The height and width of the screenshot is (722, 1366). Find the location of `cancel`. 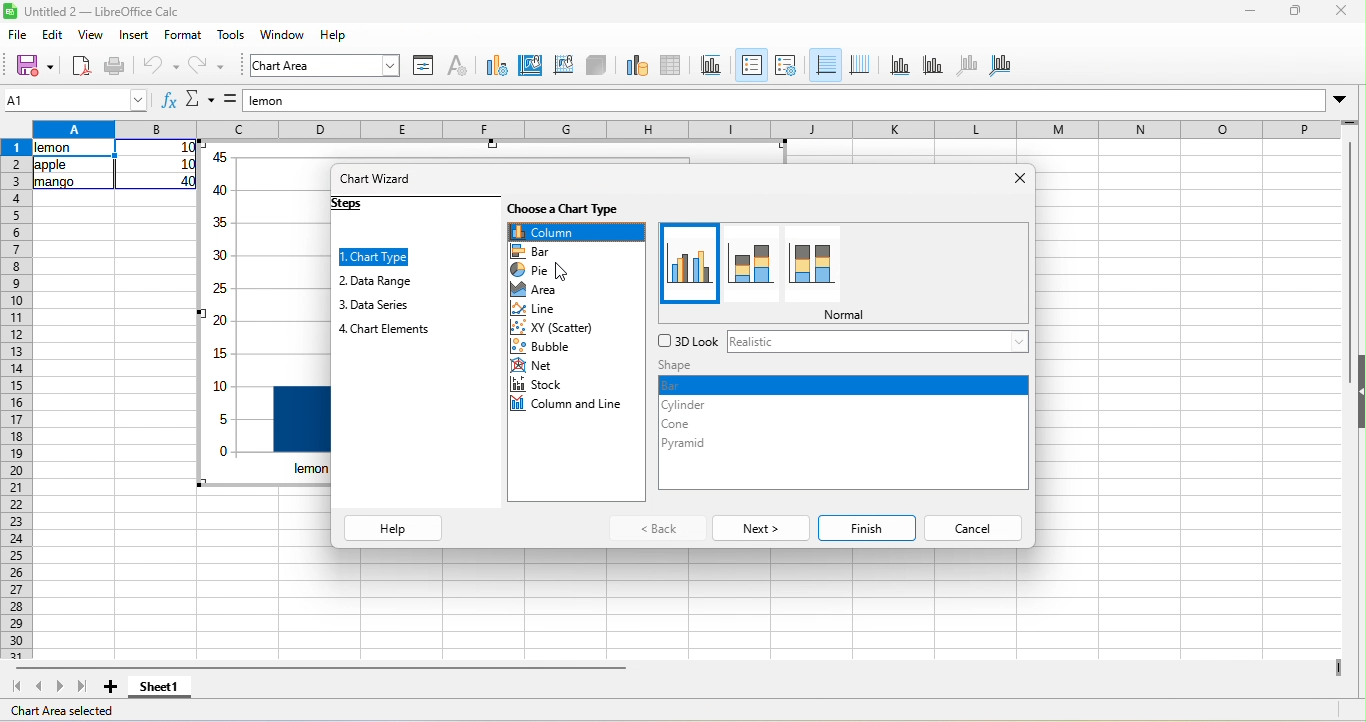

cancel is located at coordinates (975, 529).